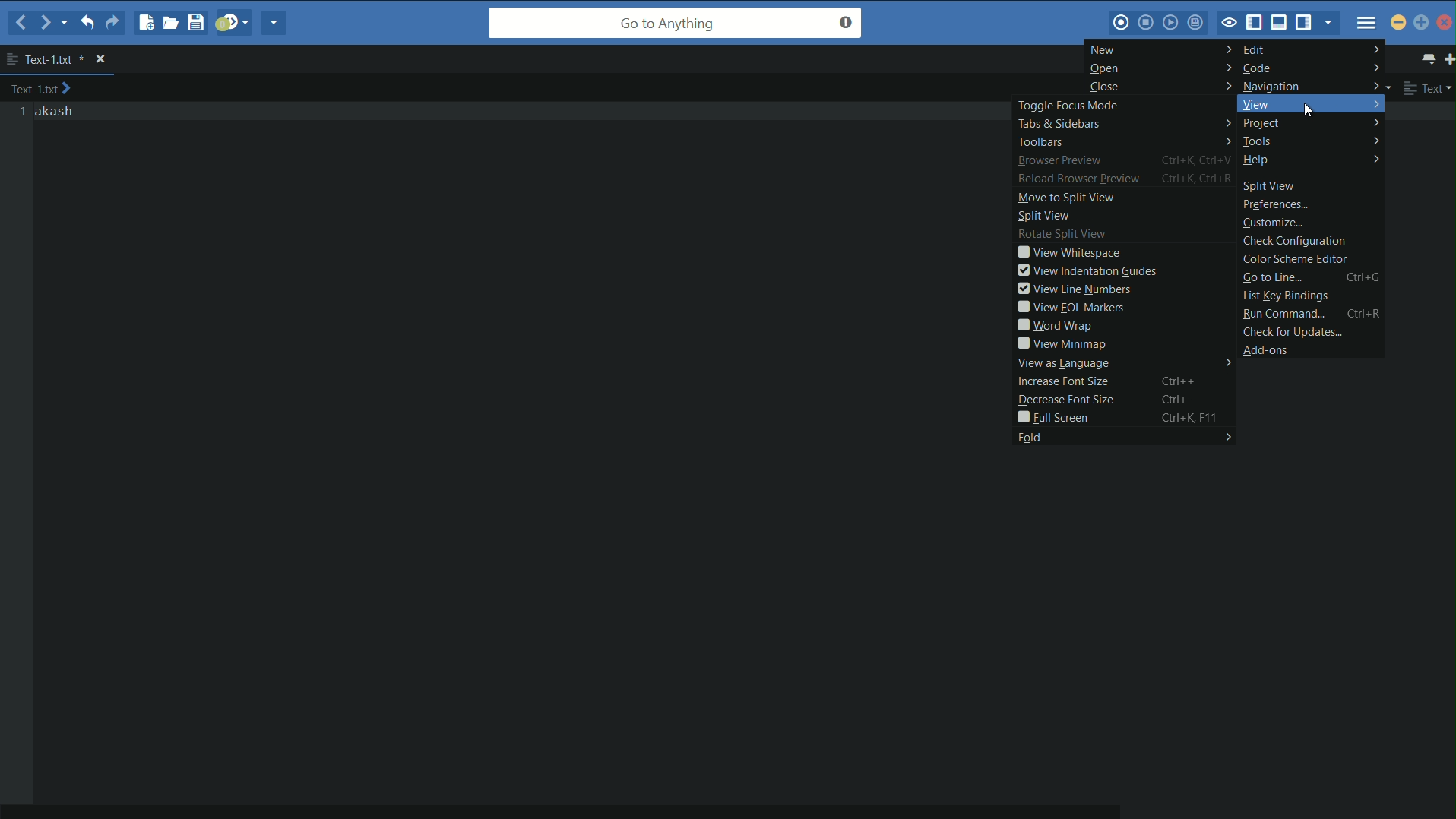 The width and height of the screenshot is (1456, 819). I want to click on view whitespace, so click(1125, 252).